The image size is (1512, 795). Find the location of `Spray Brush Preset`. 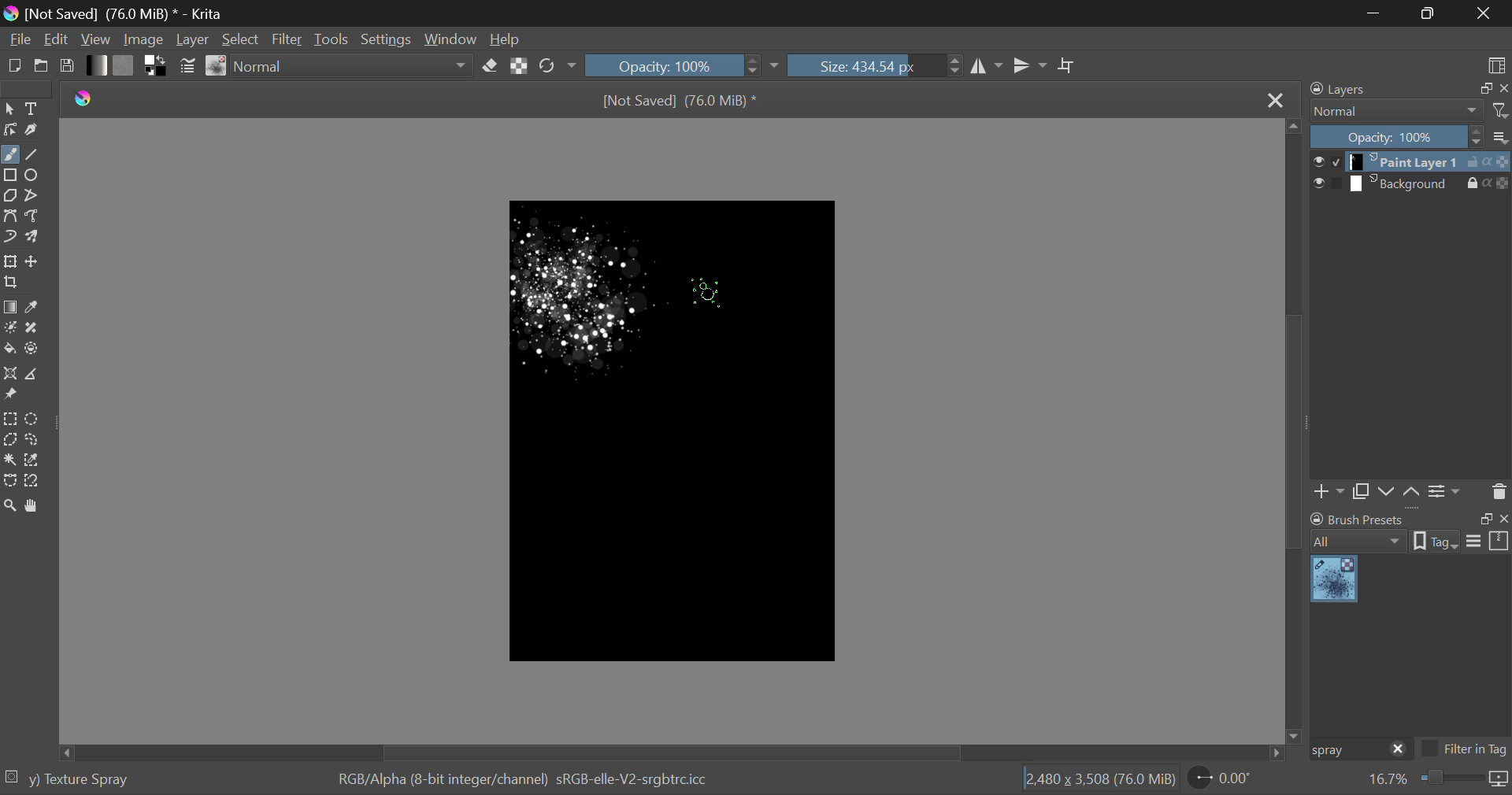

Spray Brush Preset is located at coordinates (1334, 580).